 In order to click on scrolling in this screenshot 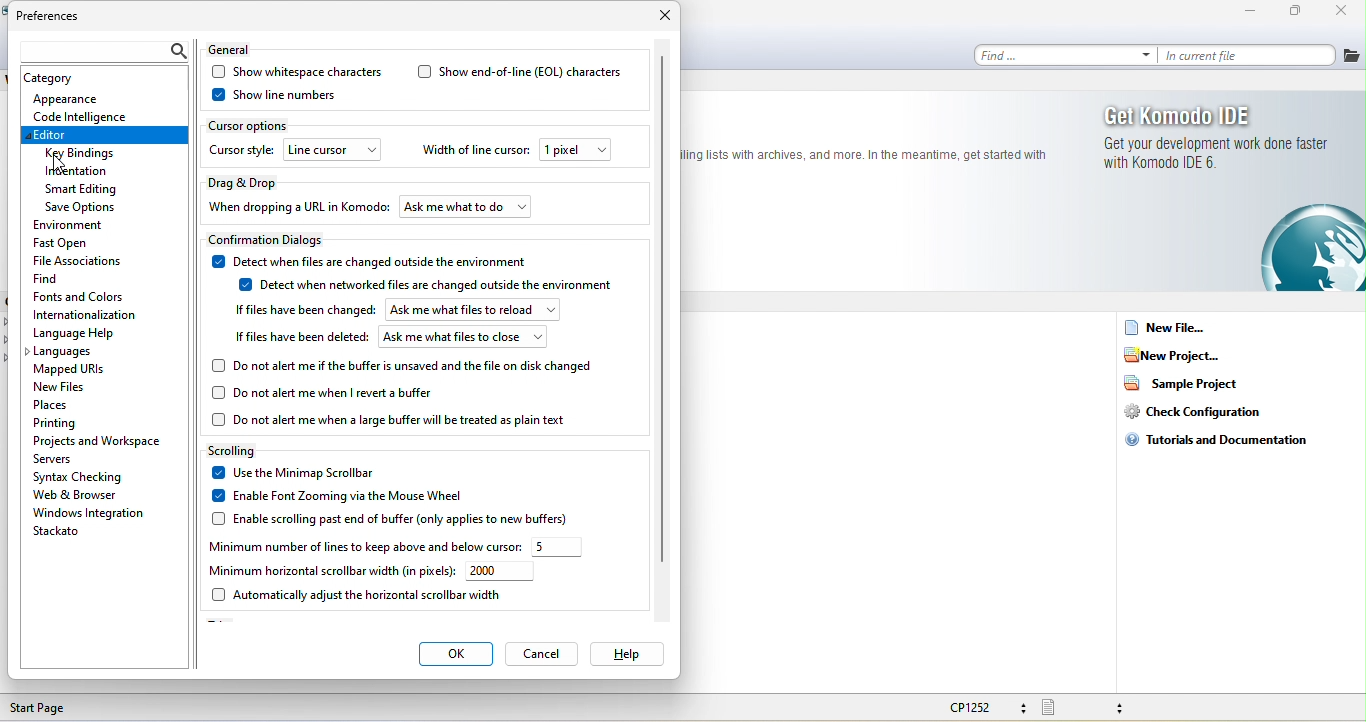, I will do `click(237, 450)`.